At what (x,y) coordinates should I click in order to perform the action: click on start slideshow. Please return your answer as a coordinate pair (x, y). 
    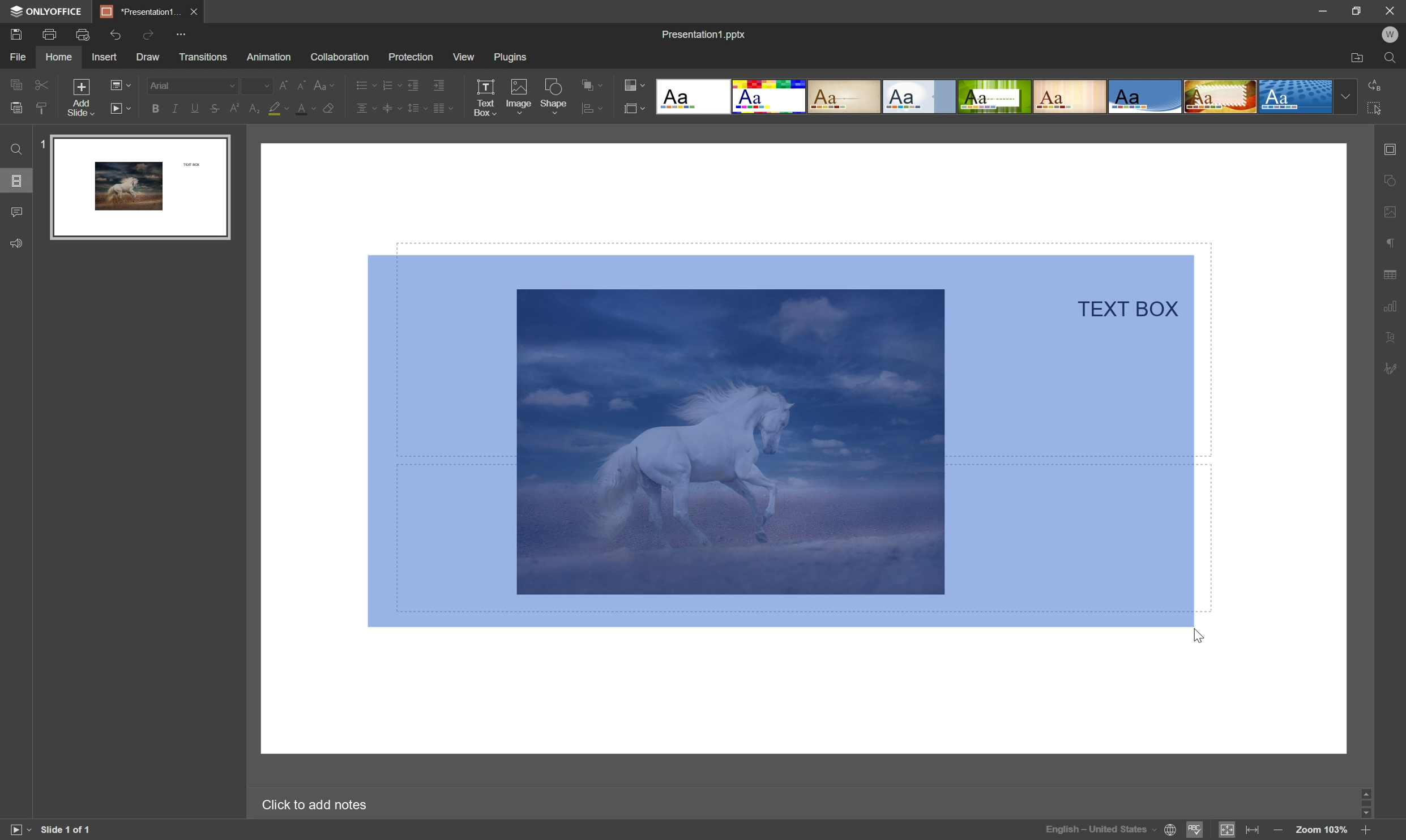
    Looking at the image, I should click on (121, 108).